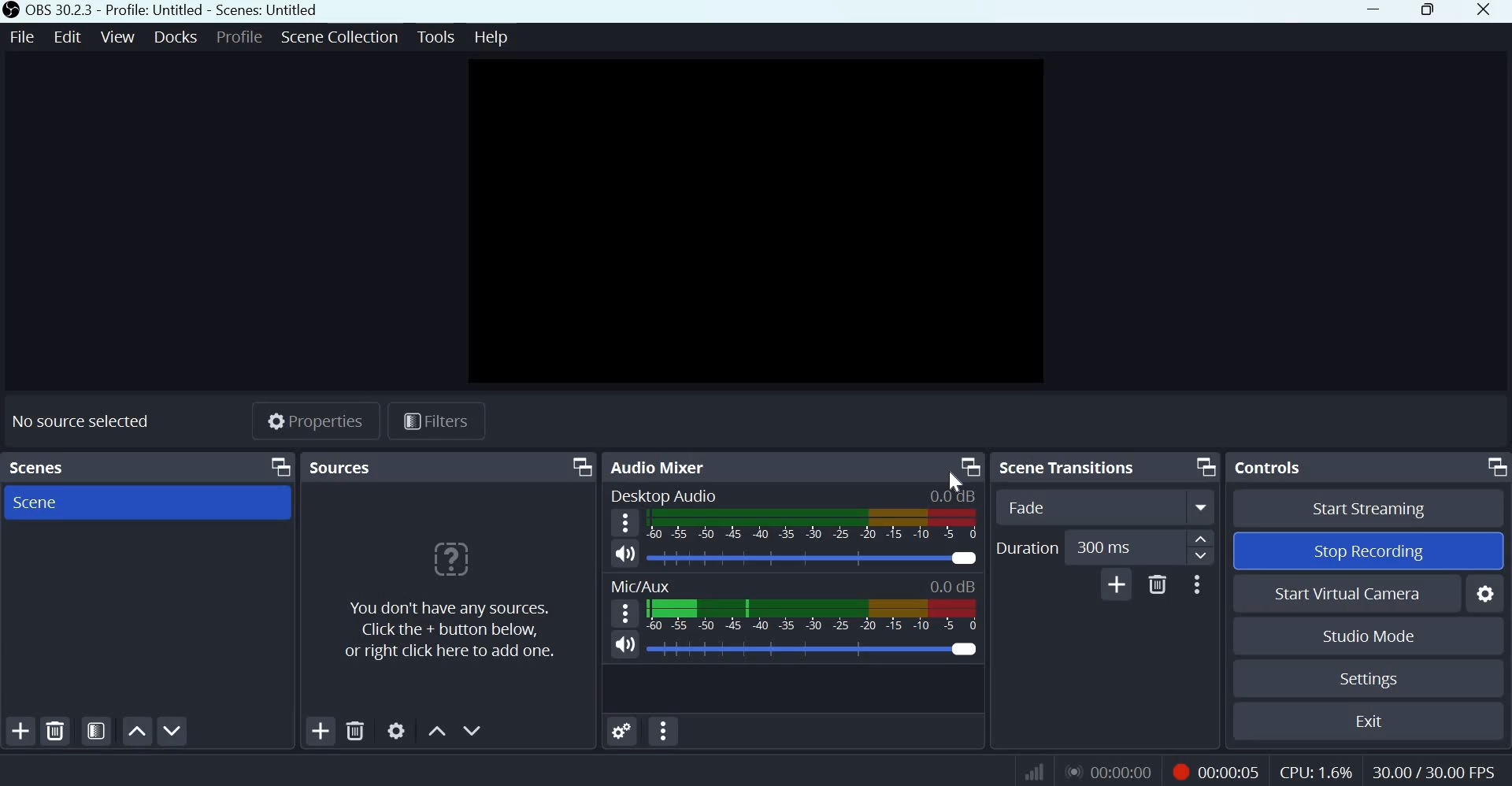  I want to click on Scene Collection, so click(342, 38).